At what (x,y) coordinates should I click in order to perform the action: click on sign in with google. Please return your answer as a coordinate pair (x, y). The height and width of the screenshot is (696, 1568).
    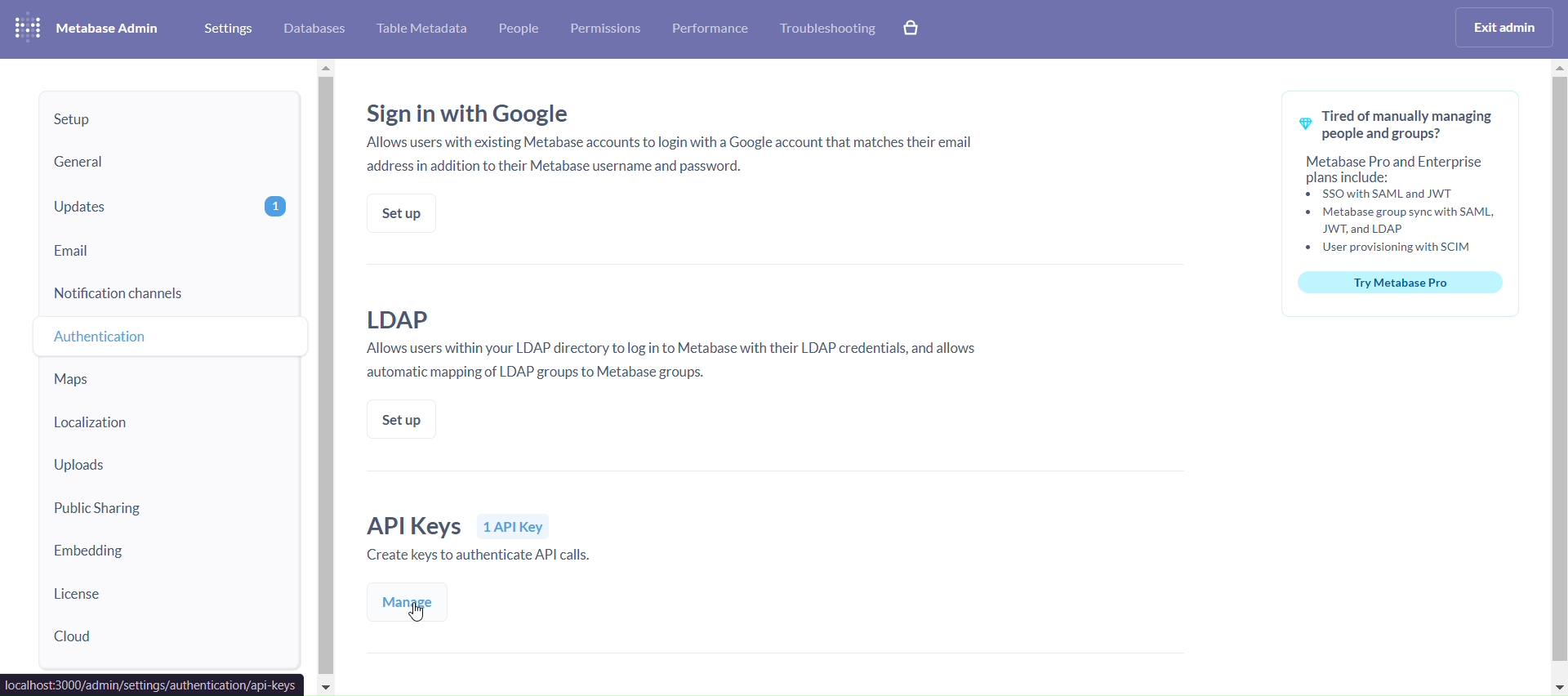
    Looking at the image, I should click on (674, 135).